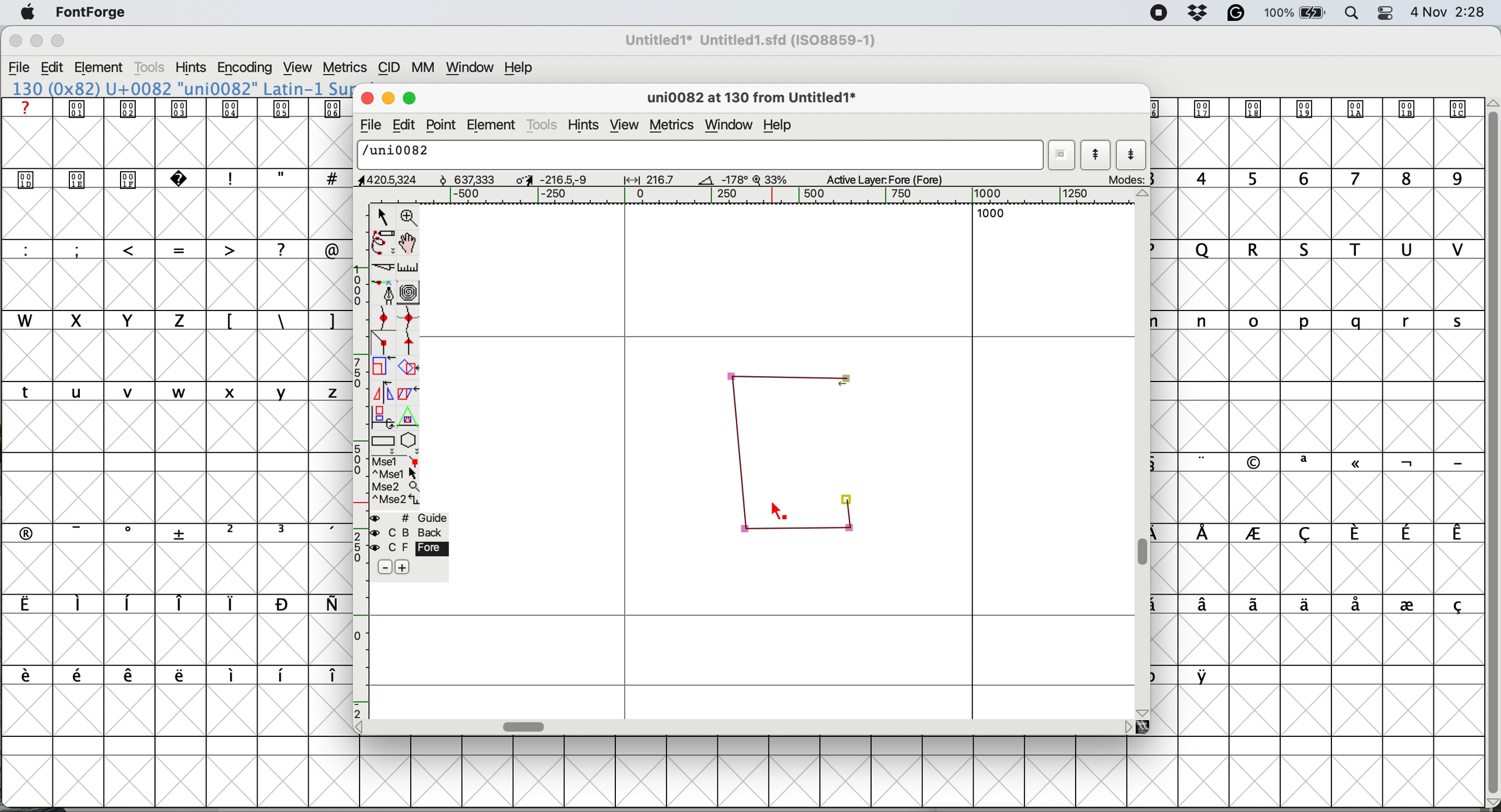 The width and height of the screenshot is (1501, 812). What do you see at coordinates (1060, 155) in the screenshot?
I see `current word list` at bounding box center [1060, 155].